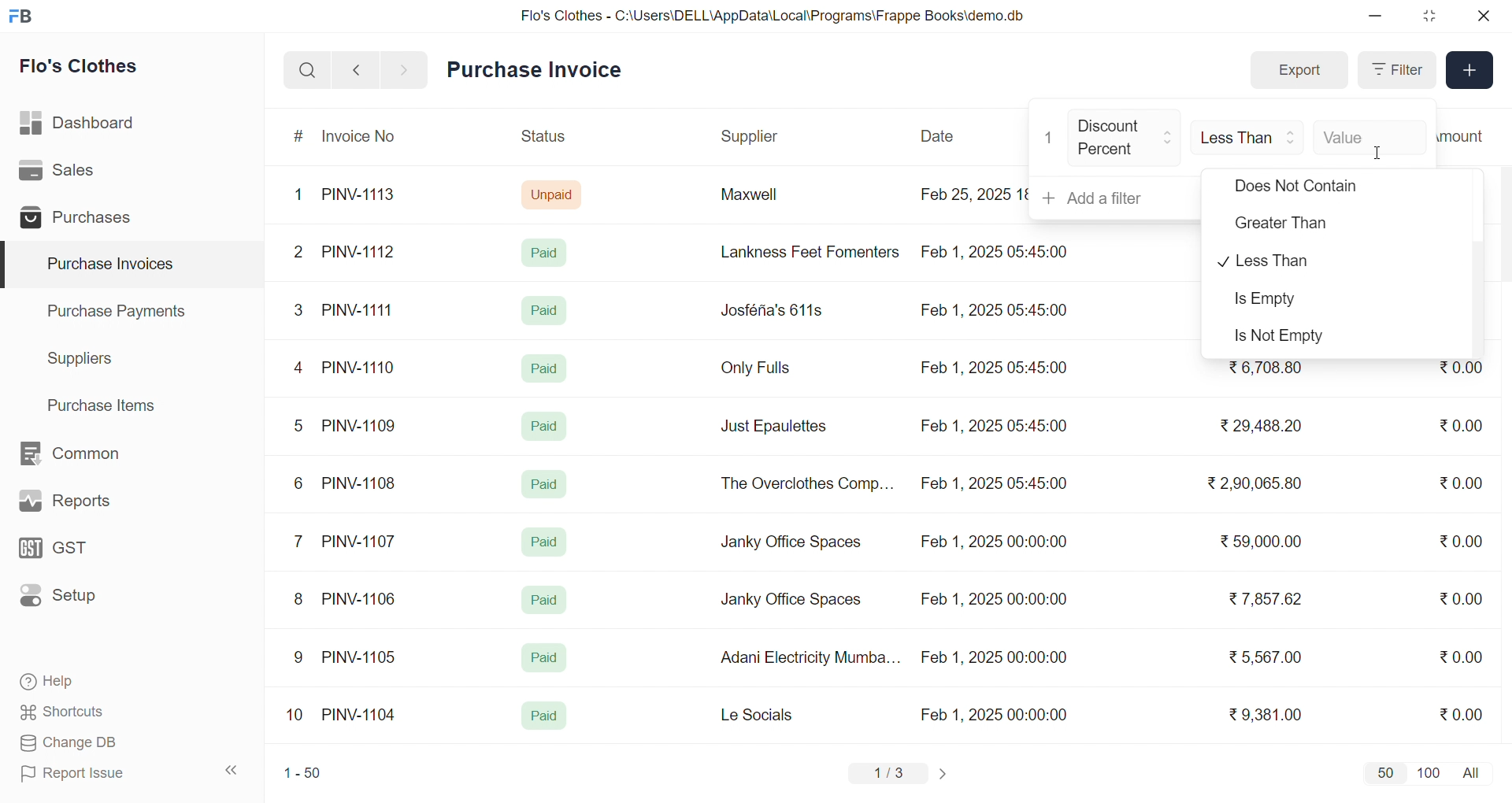  Describe the element at coordinates (939, 136) in the screenshot. I see `Date` at that location.